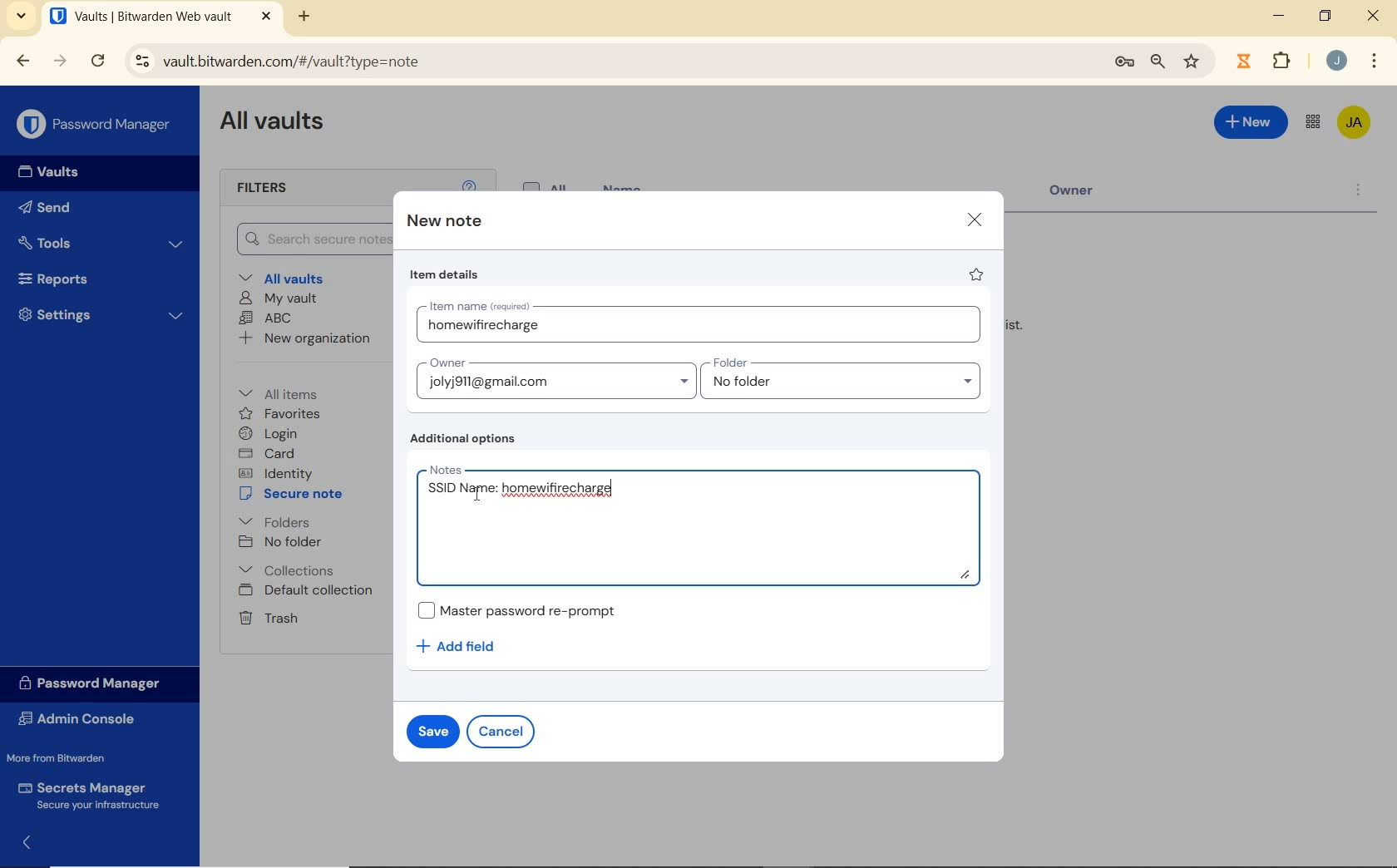  I want to click on folder, so click(842, 378).